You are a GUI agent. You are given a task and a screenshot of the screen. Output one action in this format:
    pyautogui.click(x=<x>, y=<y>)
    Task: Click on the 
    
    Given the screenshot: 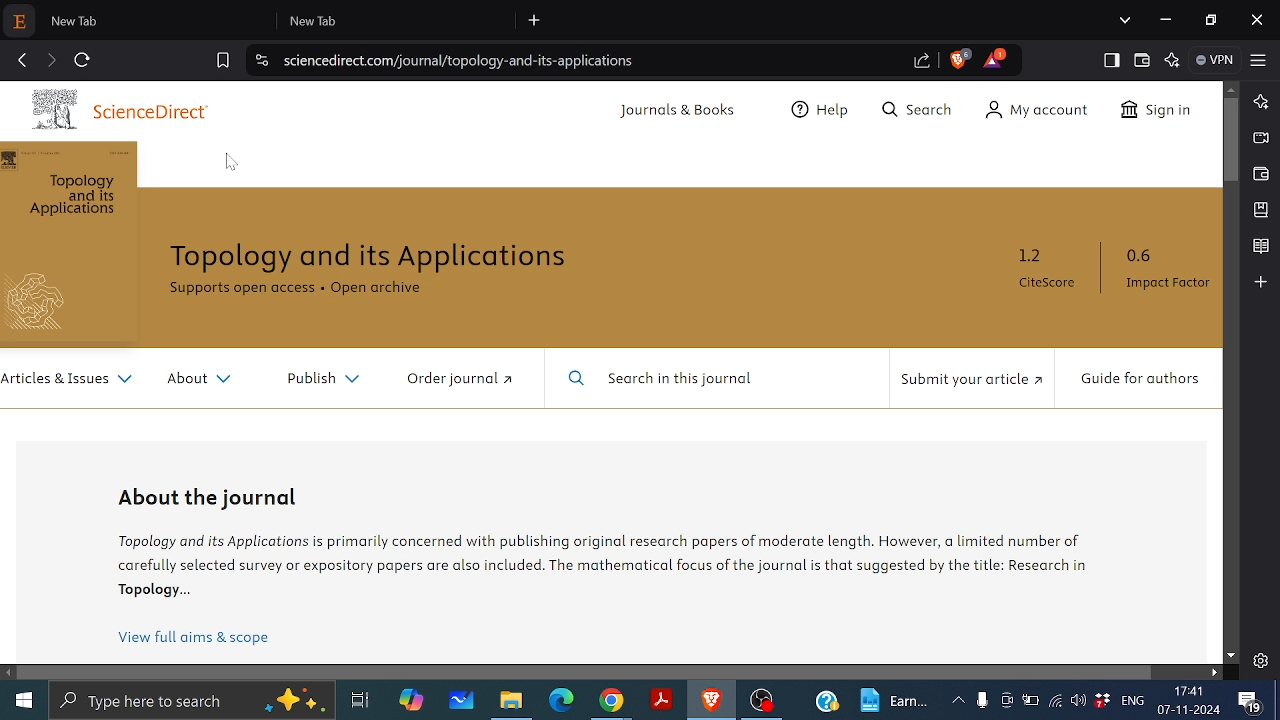 What is the action you would take?
    pyautogui.click(x=46, y=302)
    